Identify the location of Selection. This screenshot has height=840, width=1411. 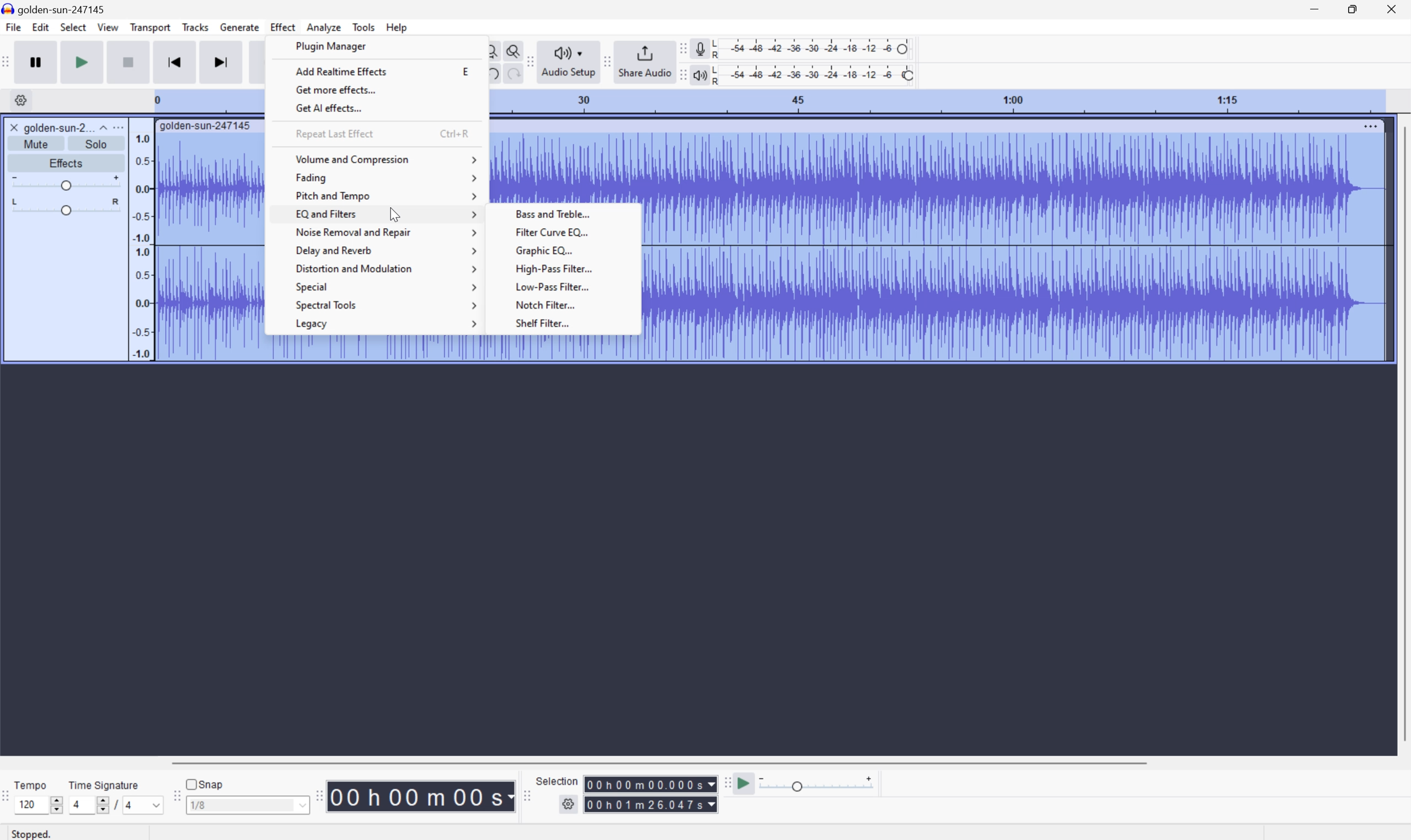
(559, 781).